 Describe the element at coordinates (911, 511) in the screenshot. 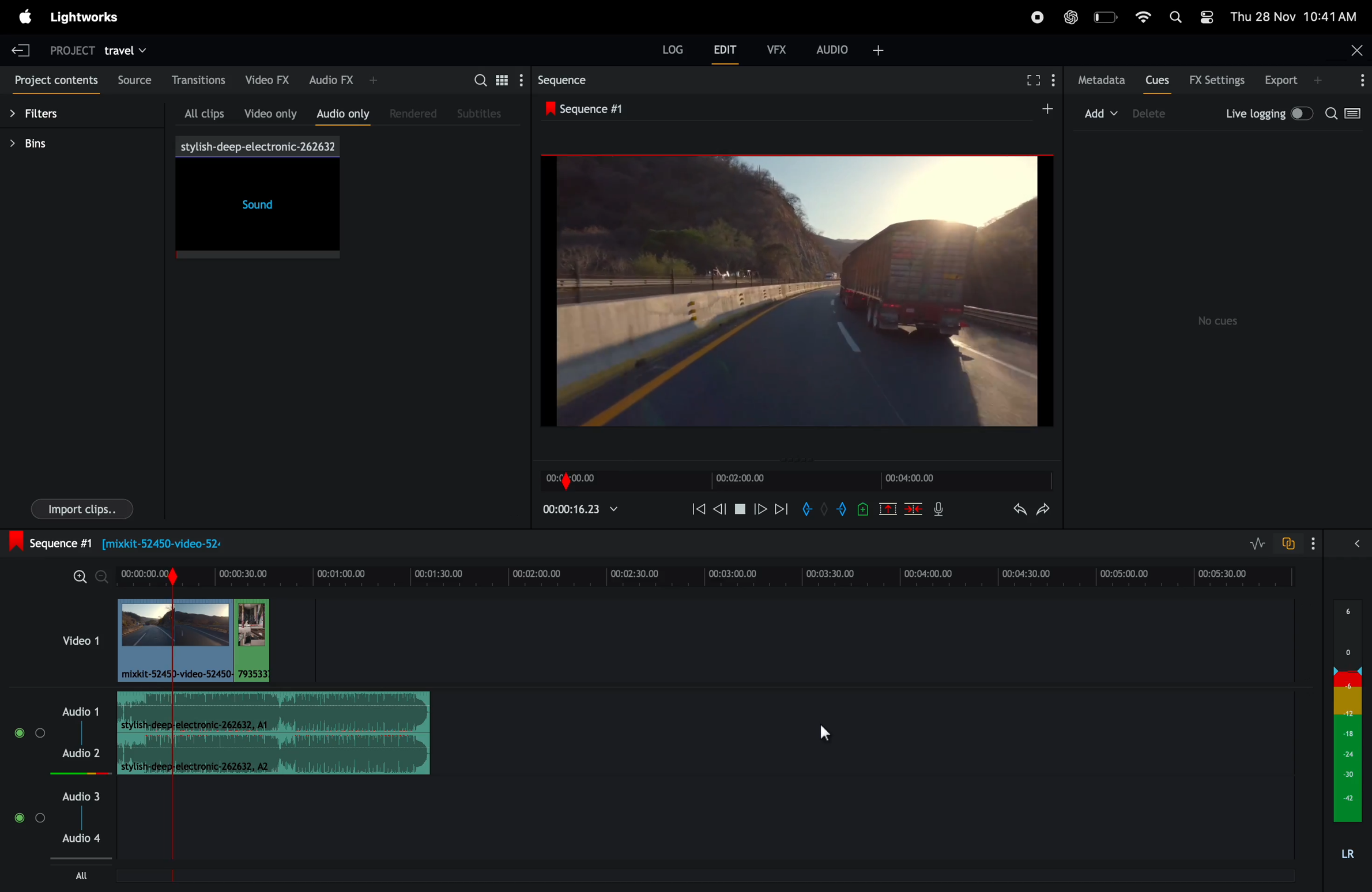

I see `delete` at that location.